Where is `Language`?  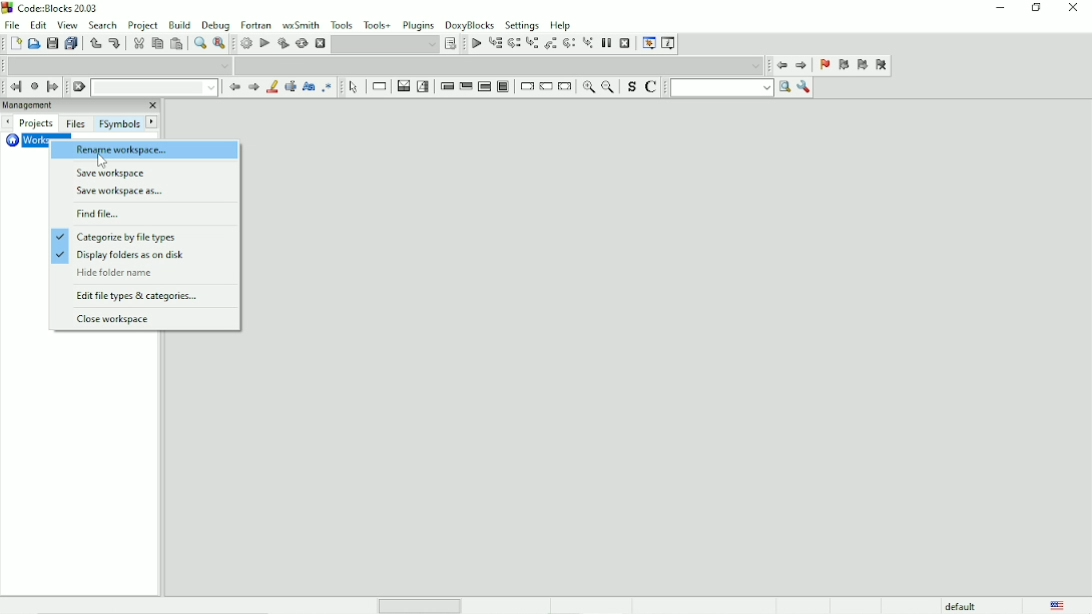 Language is located at coordinates (1057, 605).